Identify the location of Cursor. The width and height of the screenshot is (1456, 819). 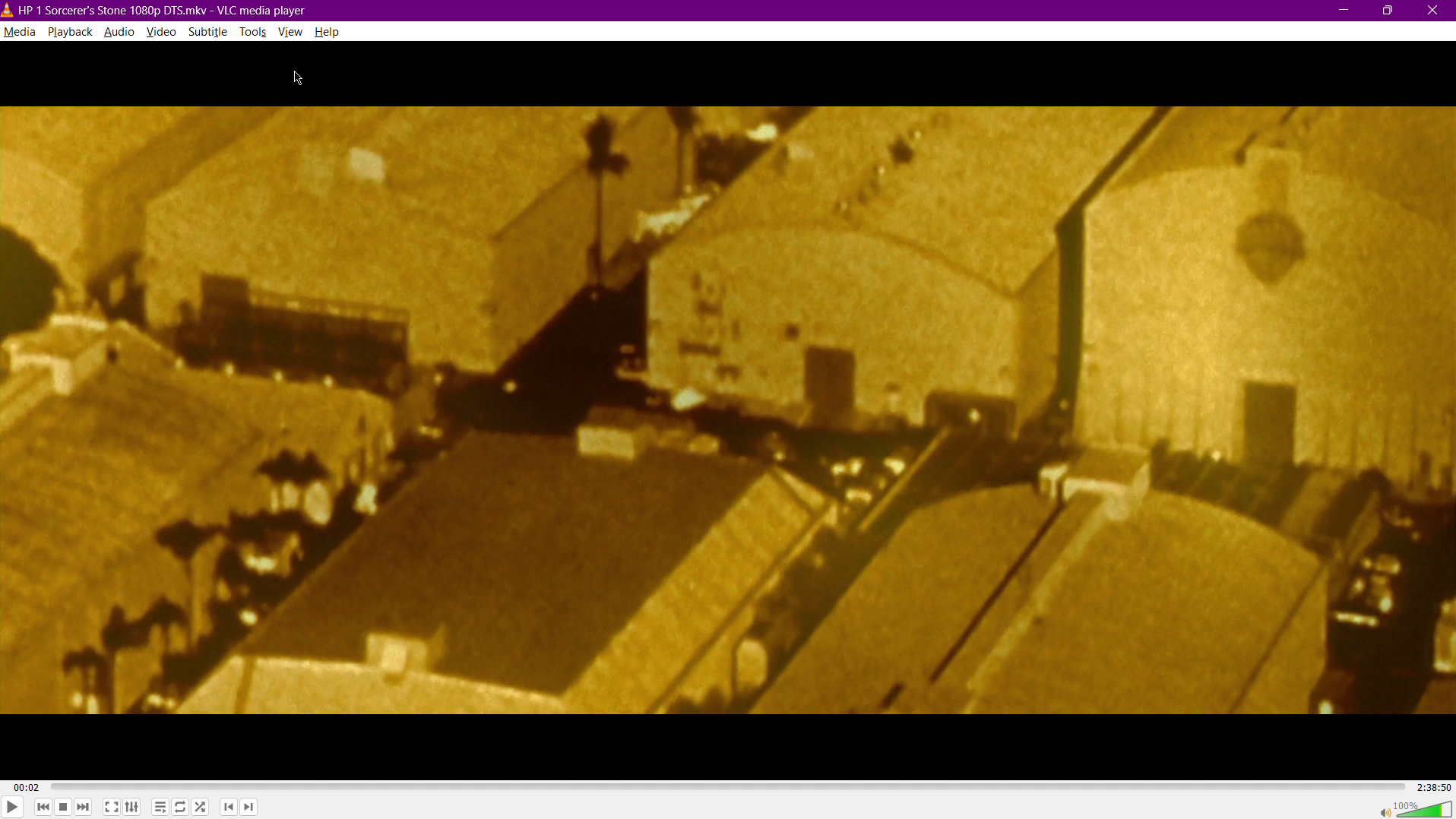
(301, 80).